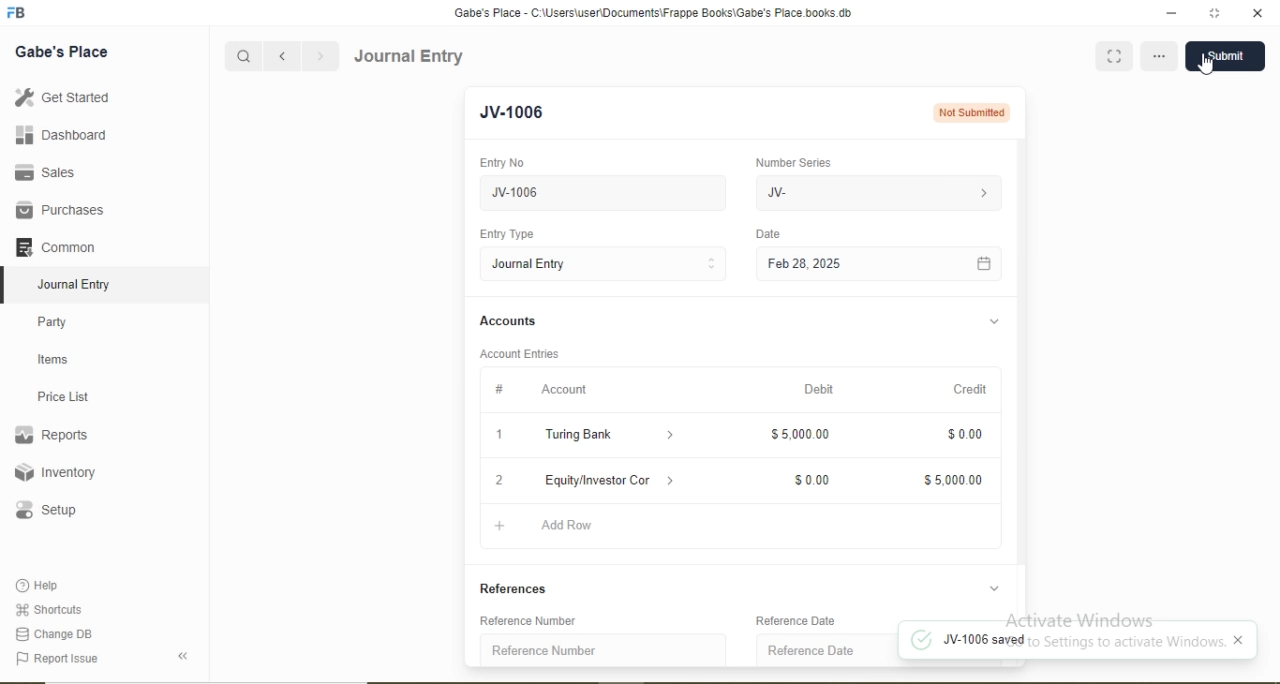  Describe the element at coordinates (582, 434) in the screenshot. I see `Turing Bank` at that location.